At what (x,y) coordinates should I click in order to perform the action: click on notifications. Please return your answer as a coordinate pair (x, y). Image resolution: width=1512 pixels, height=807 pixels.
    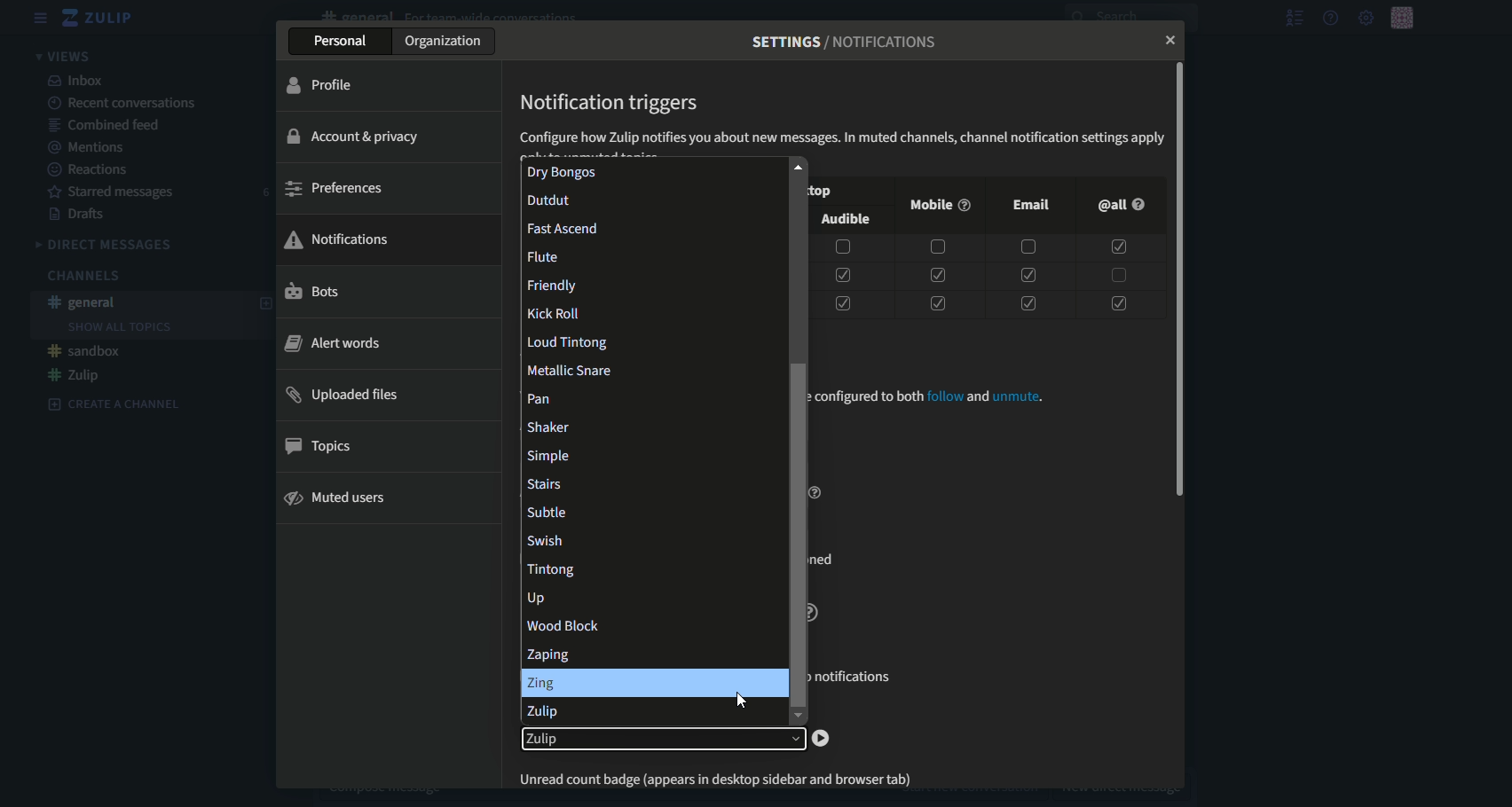
    Looking at the image, I should click on (338, 238).